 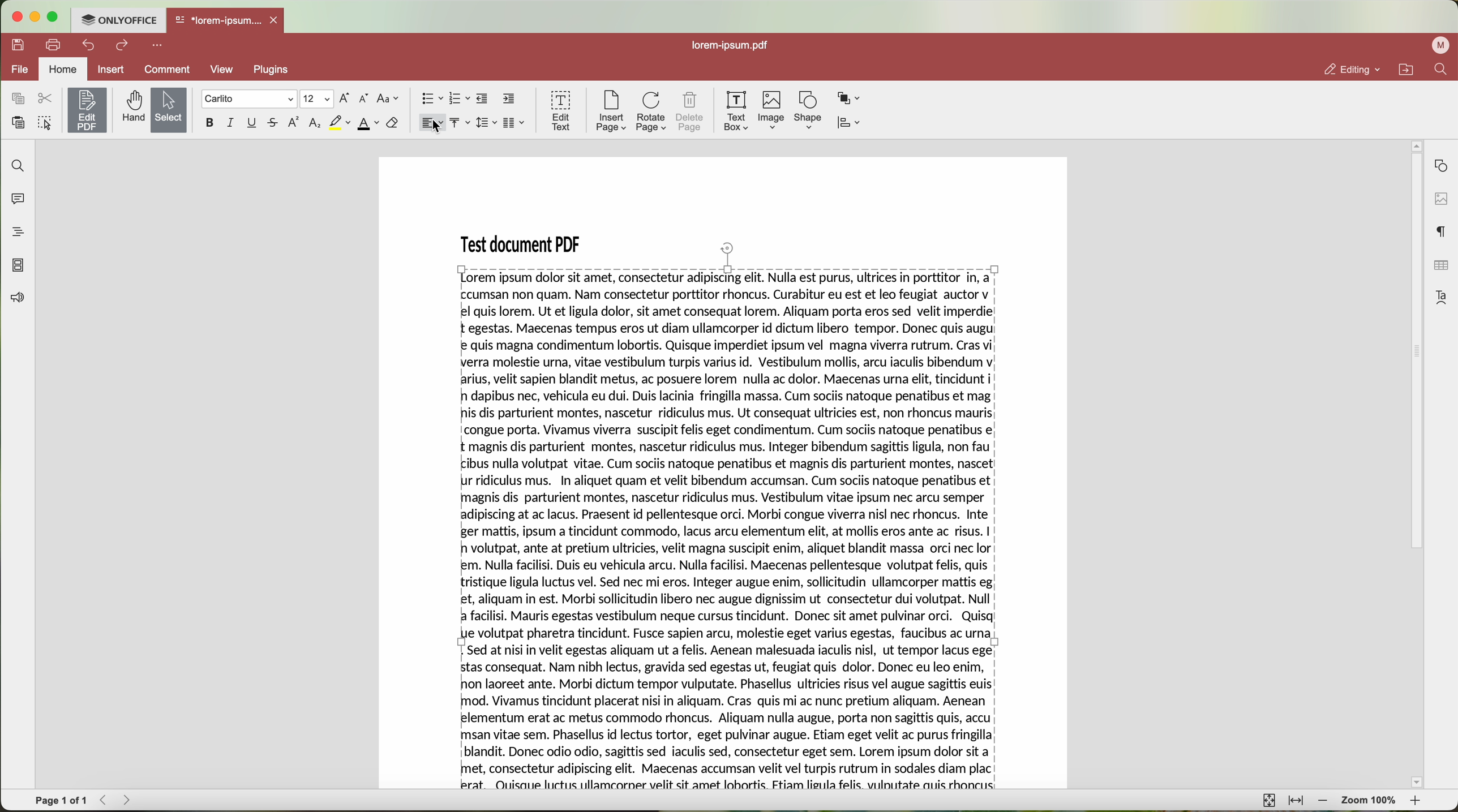 I want to click on numbered list, so click(x=458, y=99).